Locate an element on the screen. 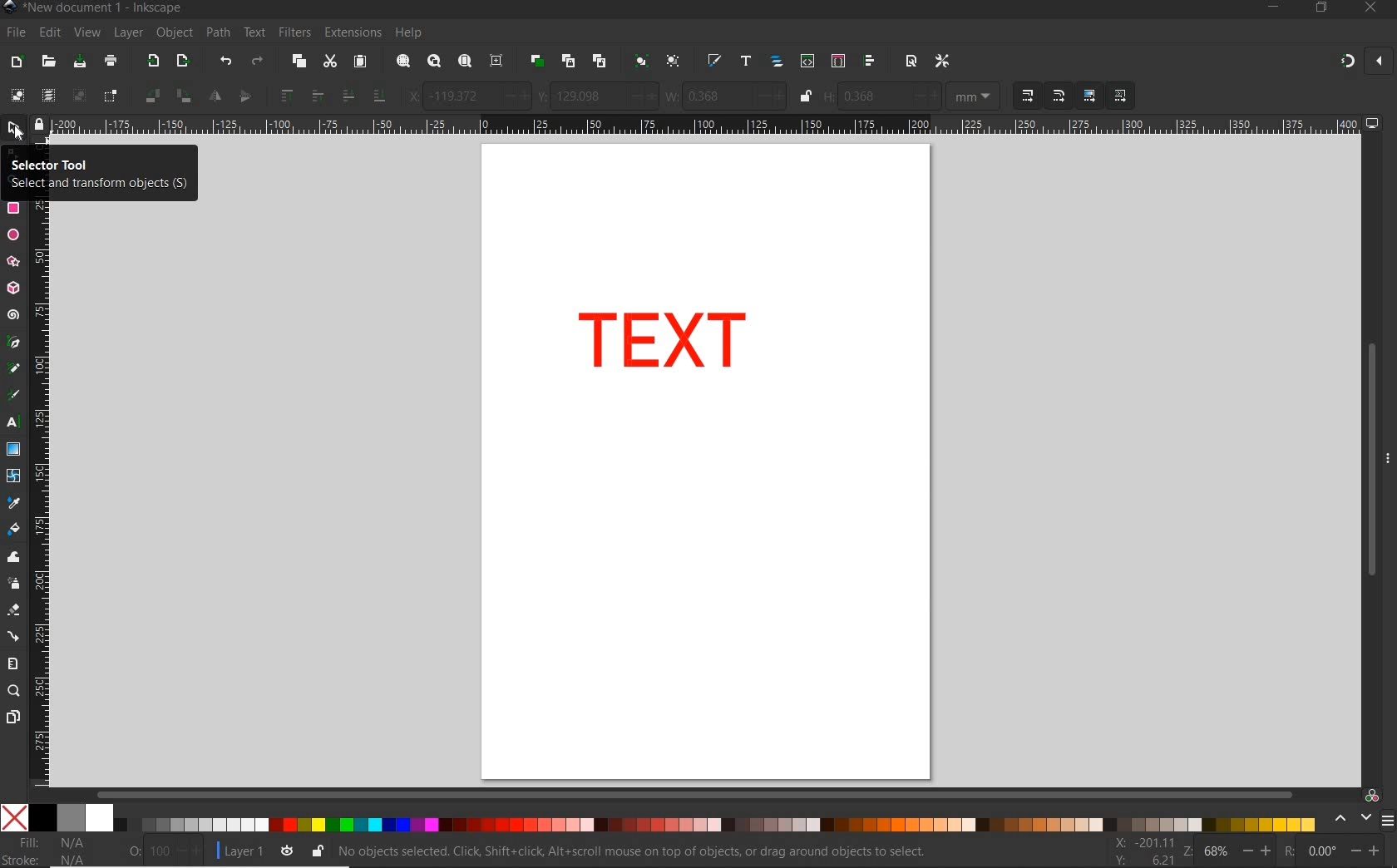 This screenshot has width=1397, height=868. GRADIENT TOOL is located at coordinates (13, 449).